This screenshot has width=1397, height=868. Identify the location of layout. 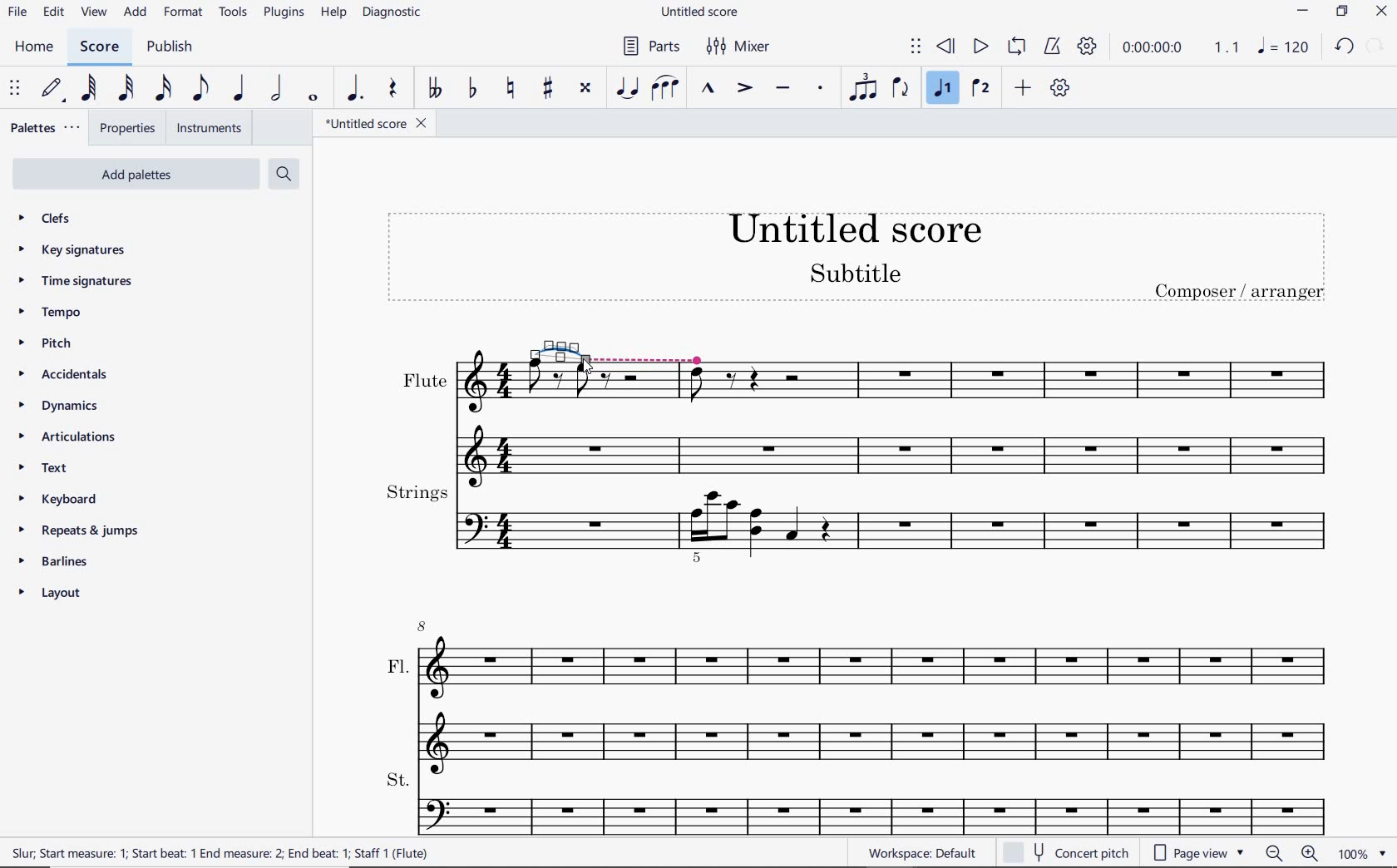
(51, 594).